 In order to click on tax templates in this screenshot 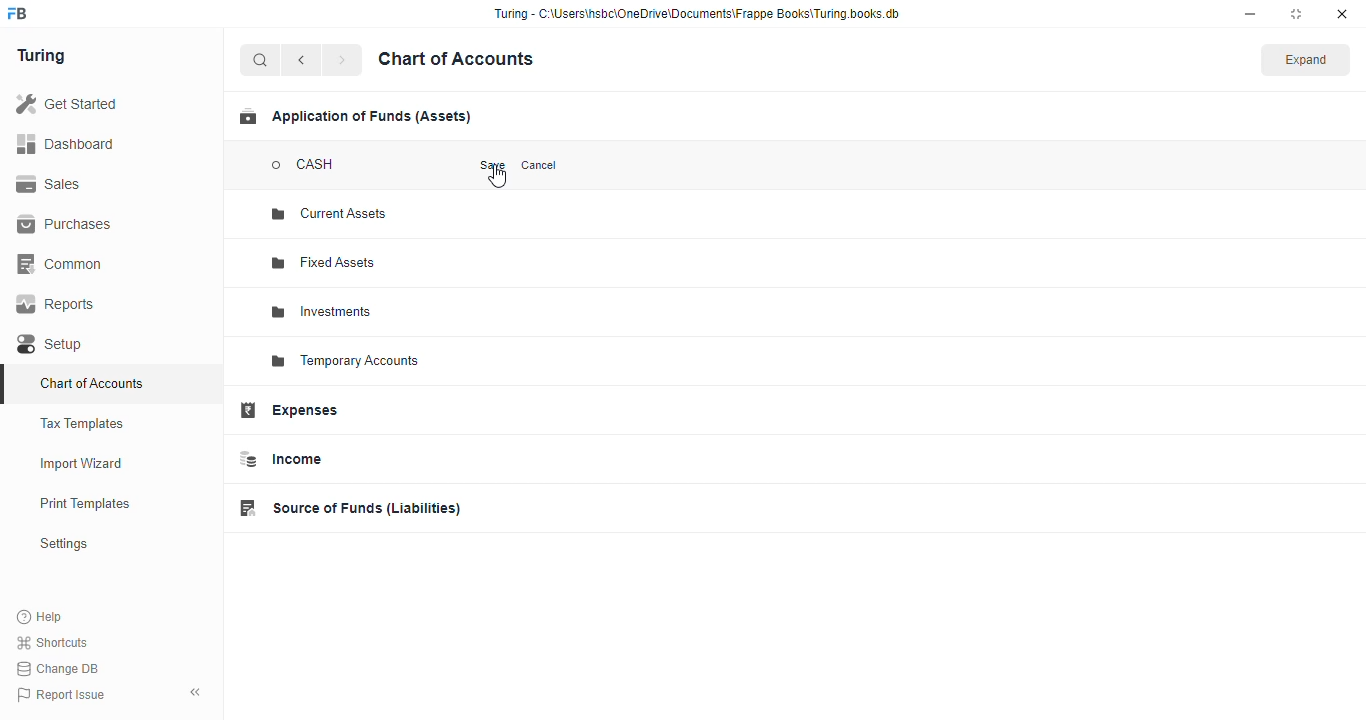, I will do `click(83, 423)`.